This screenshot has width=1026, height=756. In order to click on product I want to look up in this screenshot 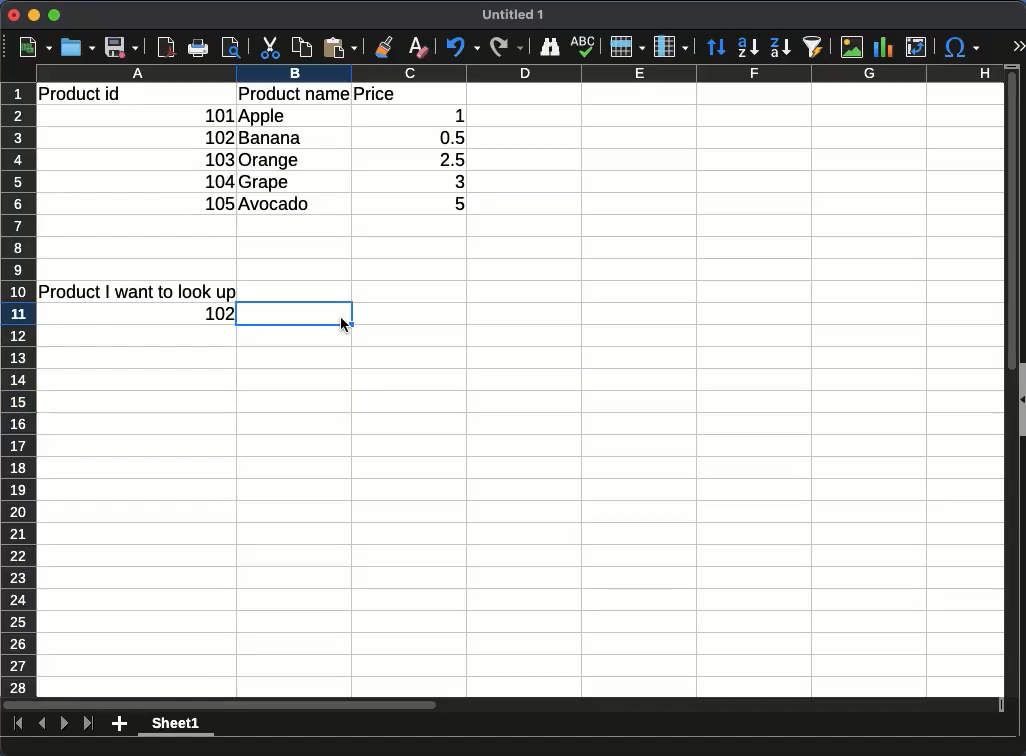, I will do `click(137, 292)`.